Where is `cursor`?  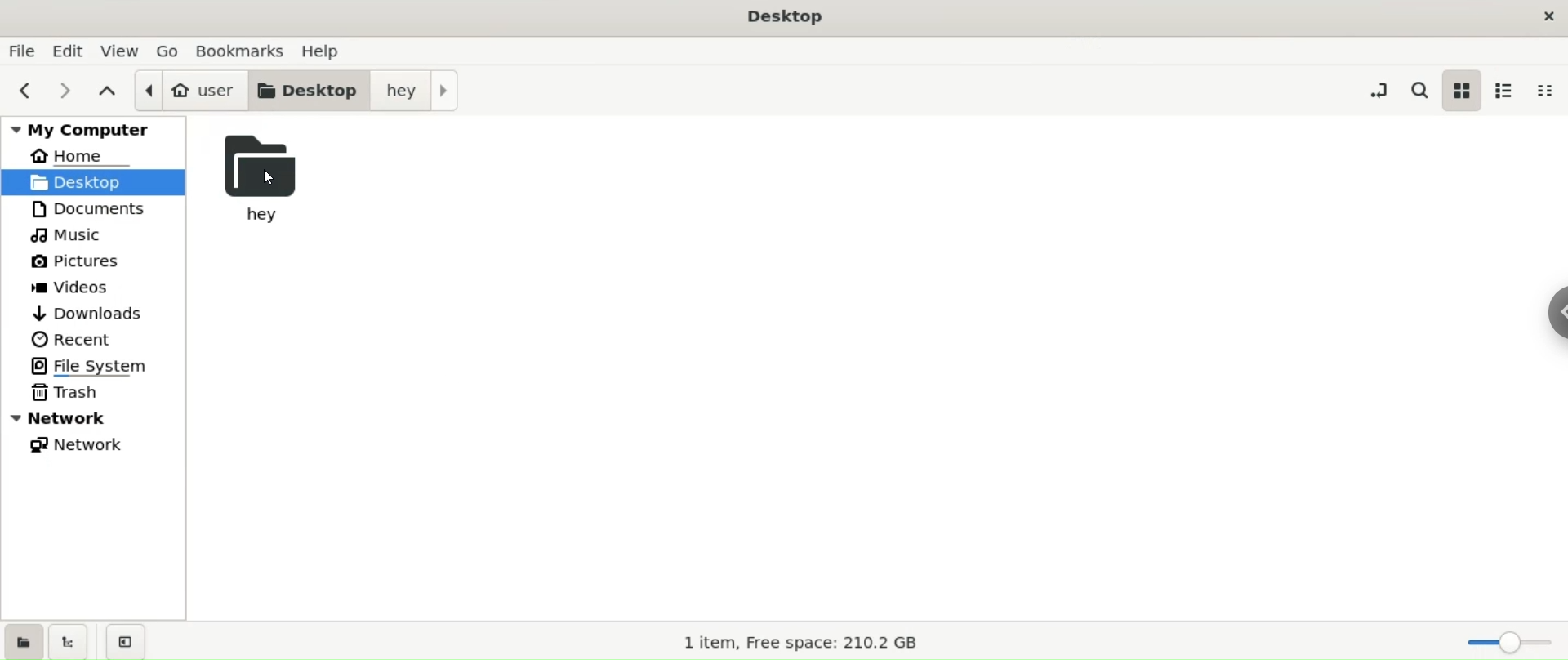
cursor is located at coordinates (267, 176).